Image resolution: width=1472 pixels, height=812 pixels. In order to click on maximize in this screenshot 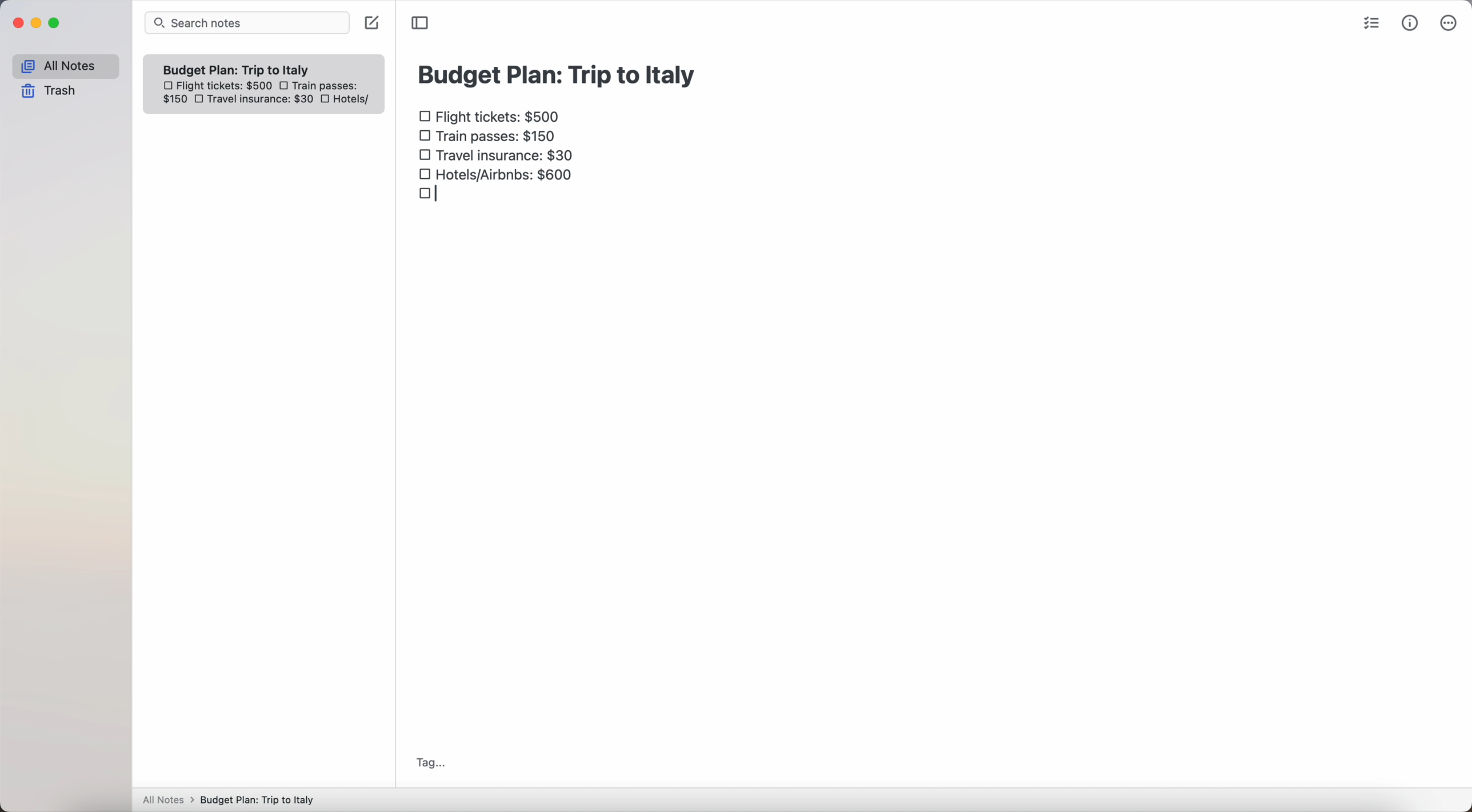, I will do `click(57, 23)`.